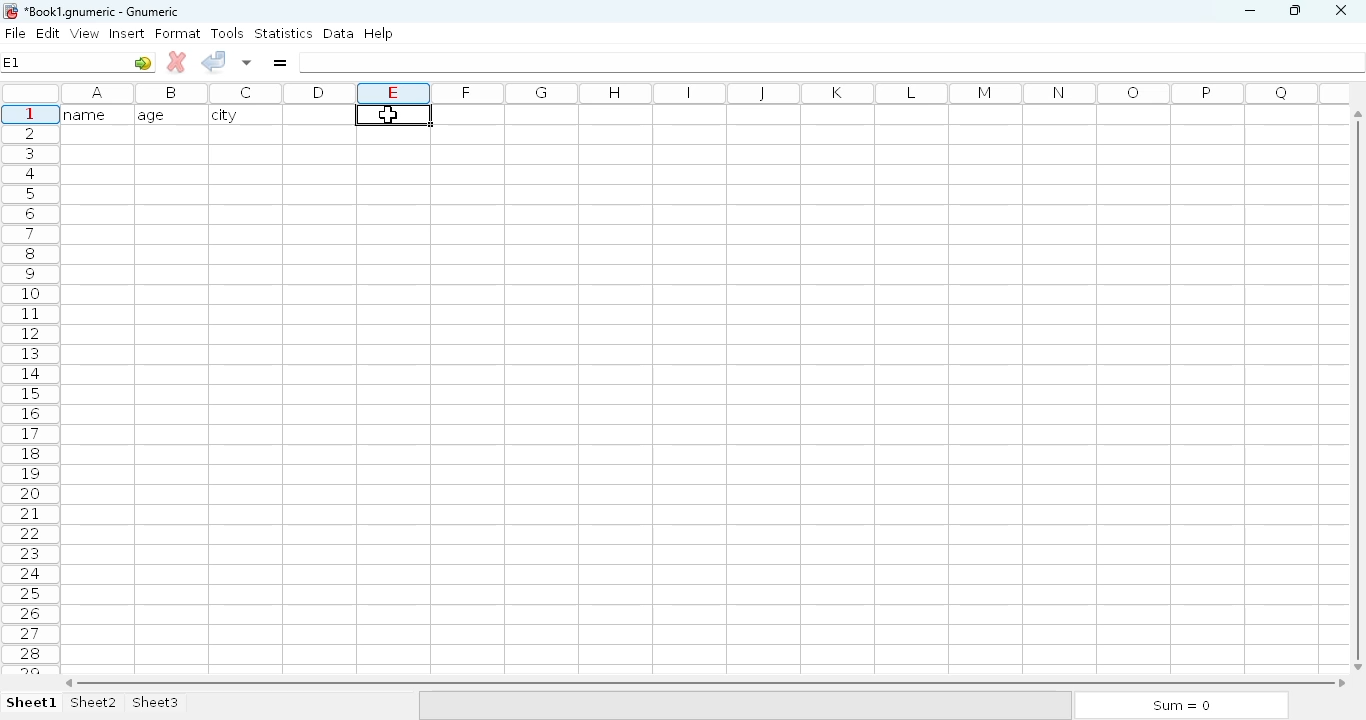  I want to click on maximize, so click(1294, 9).